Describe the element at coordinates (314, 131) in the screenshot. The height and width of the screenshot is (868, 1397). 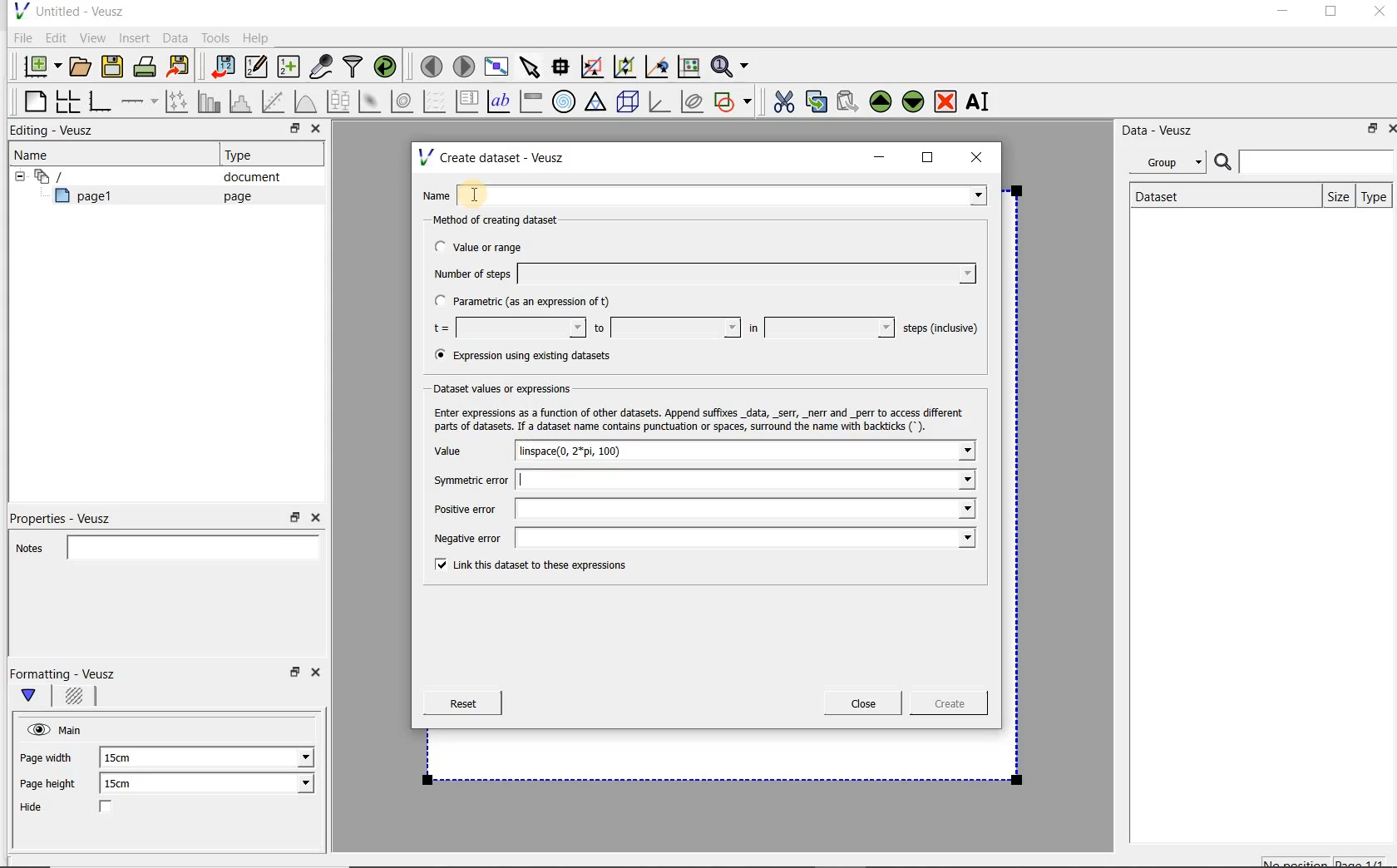
I see `Close` at that location.